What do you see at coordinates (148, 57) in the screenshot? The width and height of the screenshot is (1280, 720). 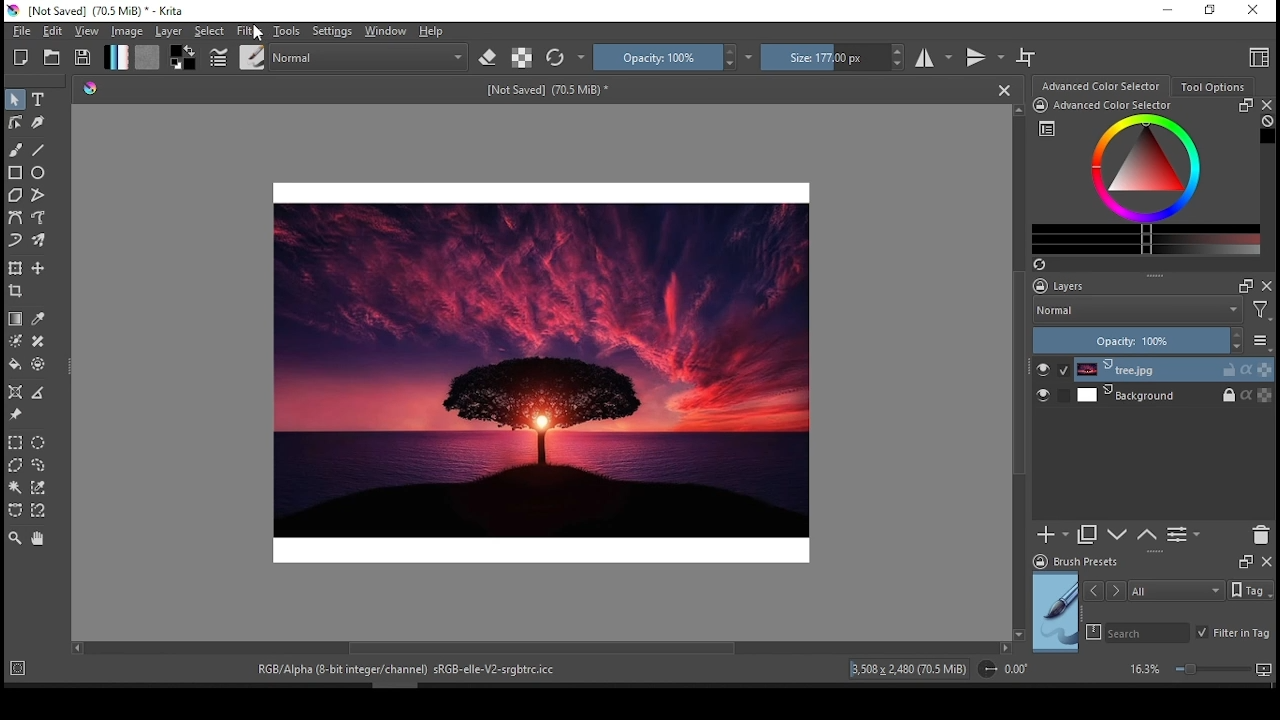 I see `fill pattern` at bounding box center [148, 57].